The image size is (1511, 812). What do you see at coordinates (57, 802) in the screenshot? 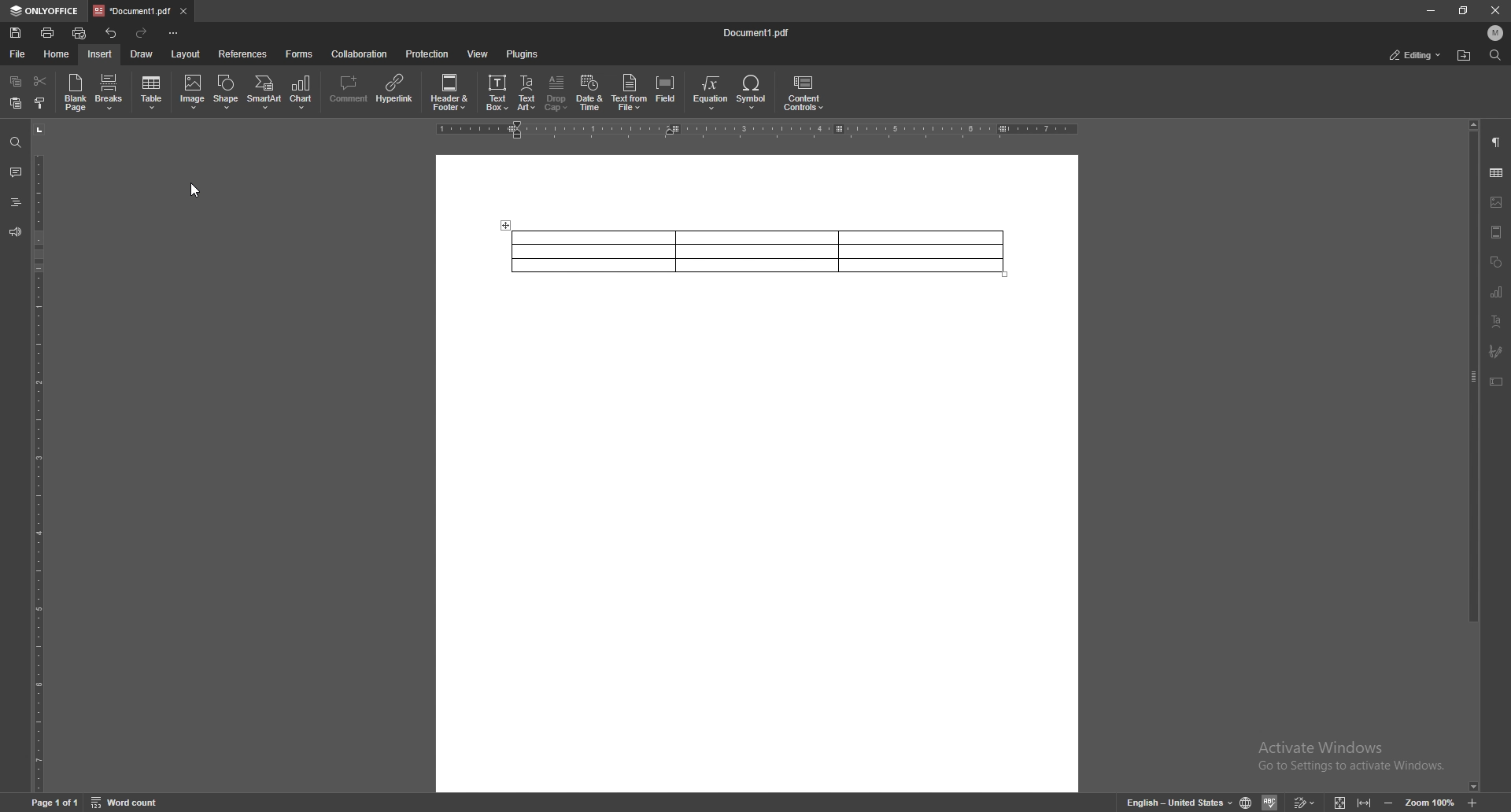
I see `page` at bounding box center [57, 802].